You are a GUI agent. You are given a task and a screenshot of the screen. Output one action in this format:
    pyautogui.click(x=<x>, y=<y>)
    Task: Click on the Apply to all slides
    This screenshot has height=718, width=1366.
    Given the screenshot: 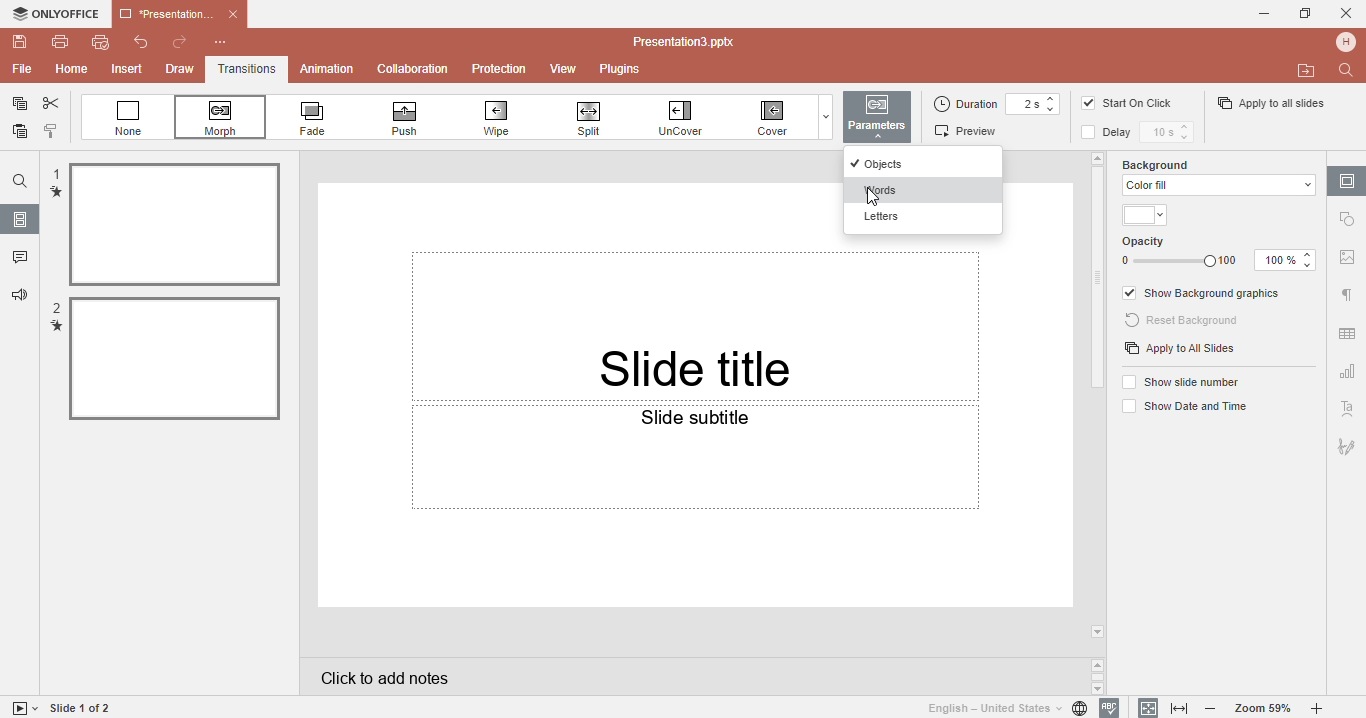 What is the action you would take?
    pyautogui.click(x=1180, y=350)
    